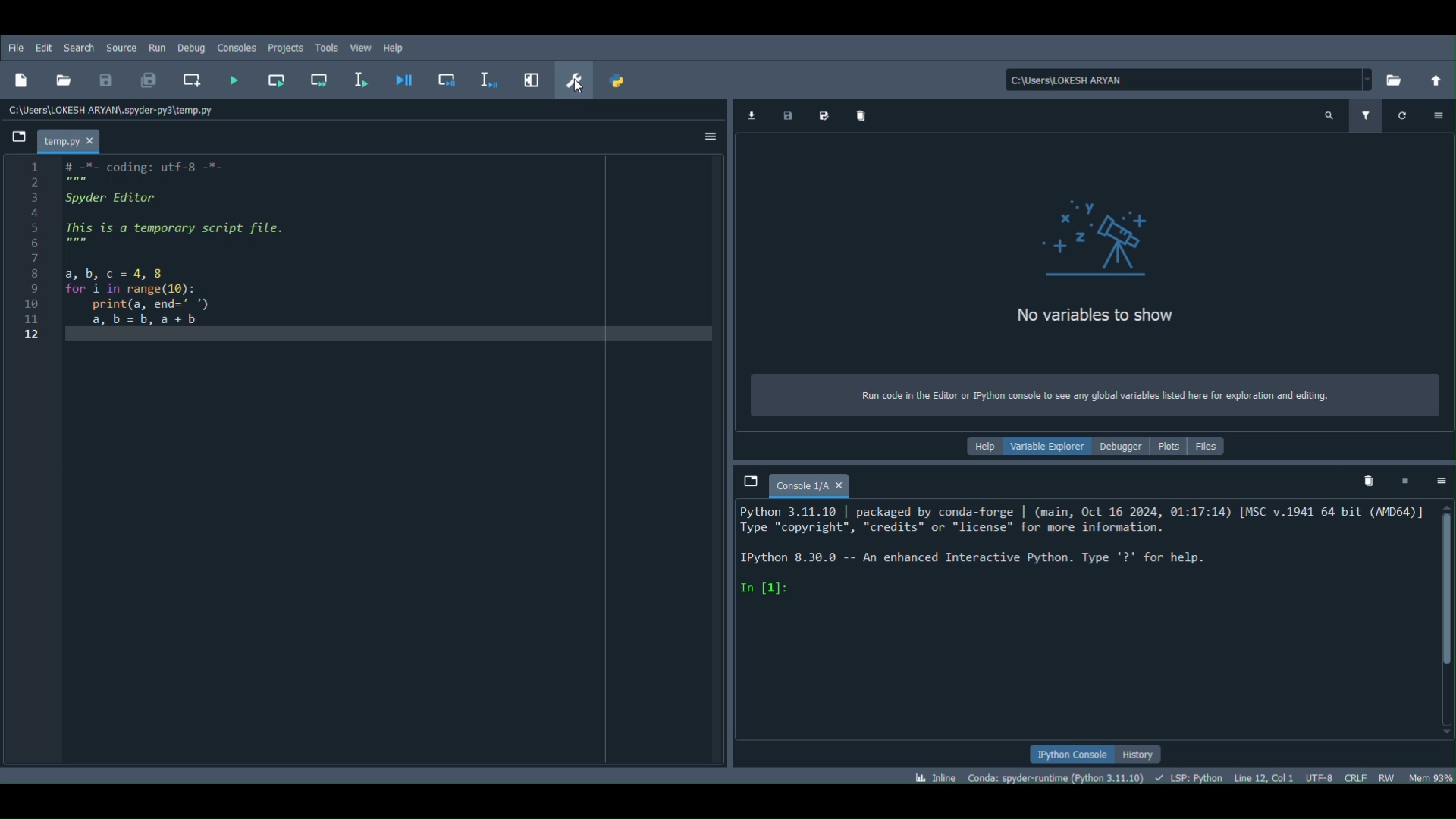 The image size is (1456, 819). I want to click on Preferences, so click(576, 78).